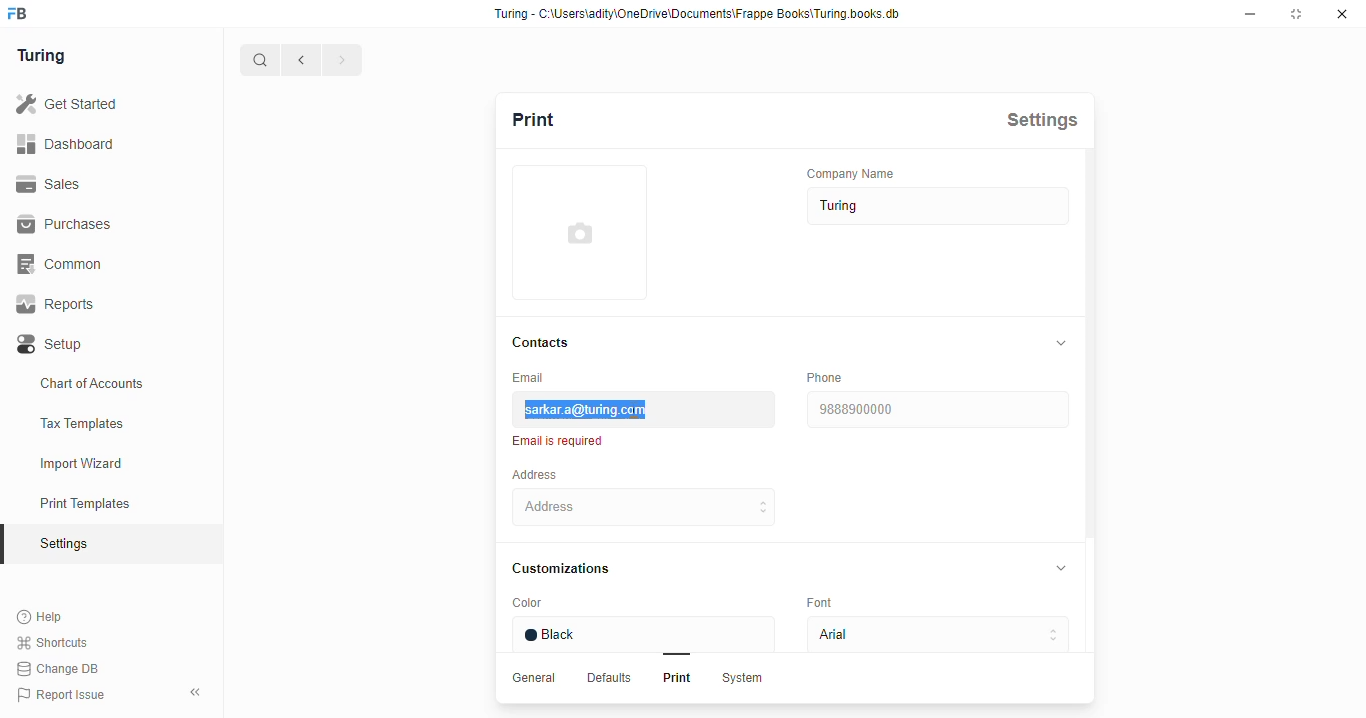  Describe the element at coordinates (65, 263) in the screenshot. I see `‘Common` at that location.